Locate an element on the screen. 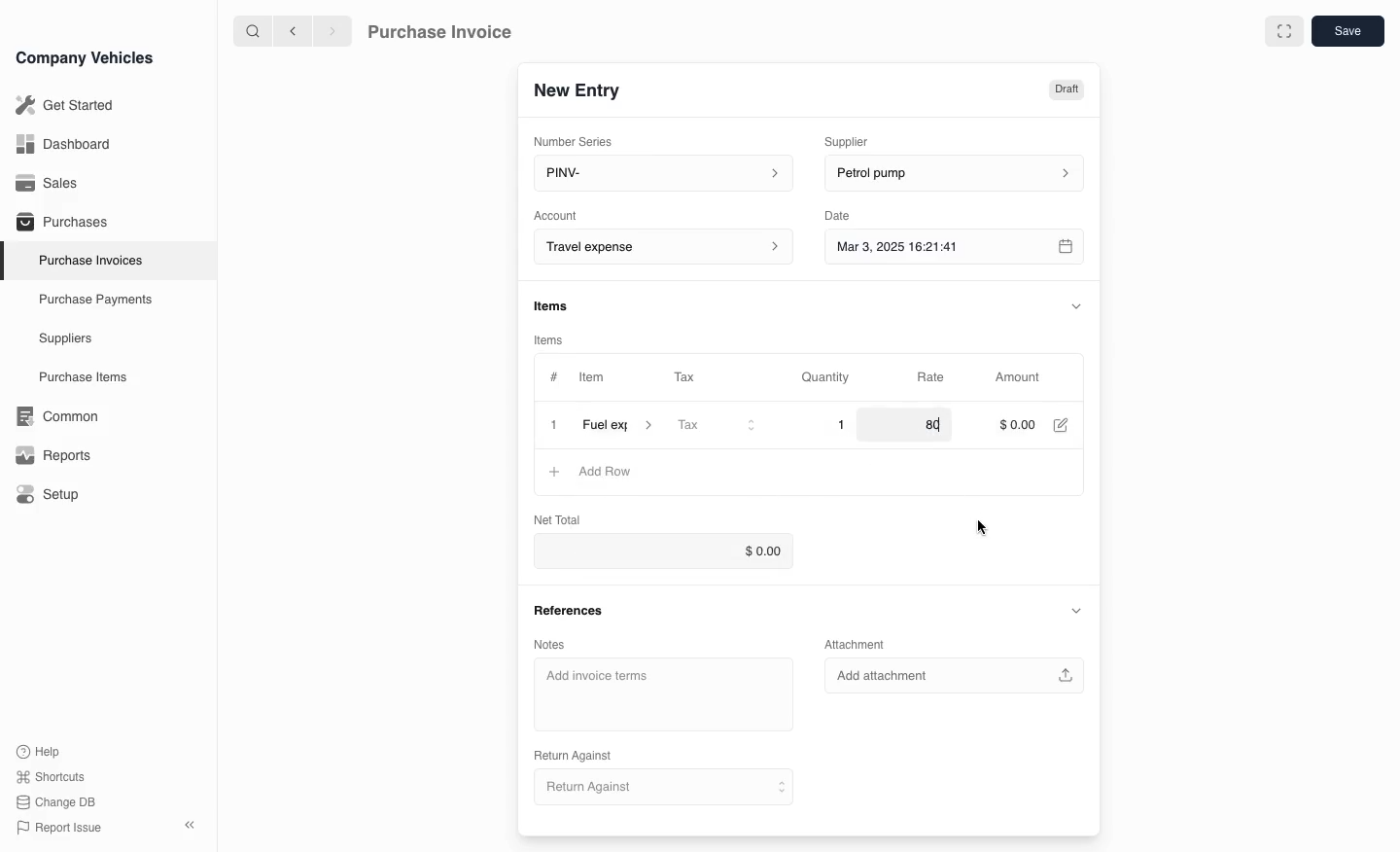 This screenshot has height=852, width=1400. Suppliers is located at coordinates (64, 339).